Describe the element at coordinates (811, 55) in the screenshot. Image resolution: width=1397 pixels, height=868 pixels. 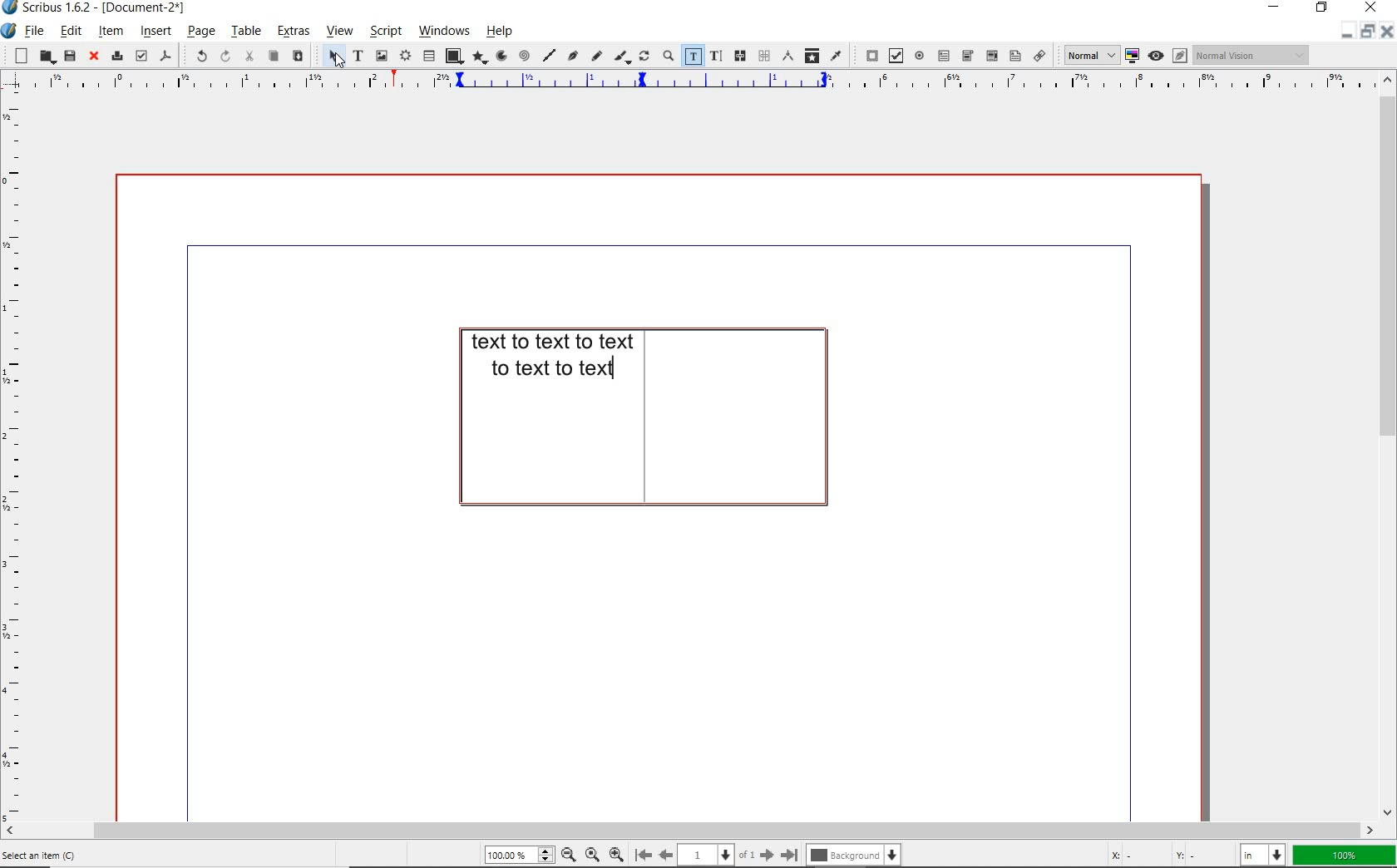
I see `copy item properties` at that location.